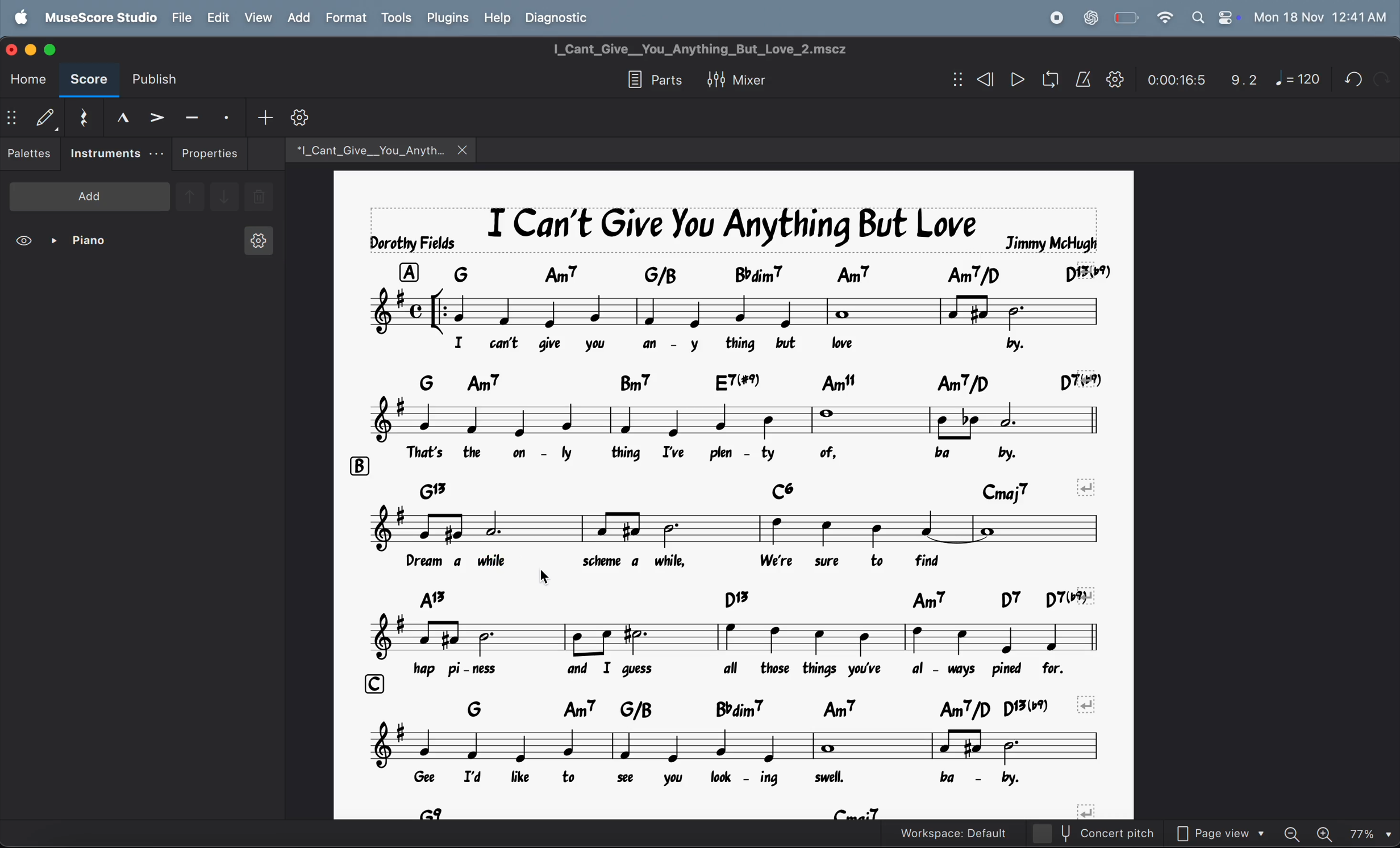  I want to click on lyrics, so click(714, 563).